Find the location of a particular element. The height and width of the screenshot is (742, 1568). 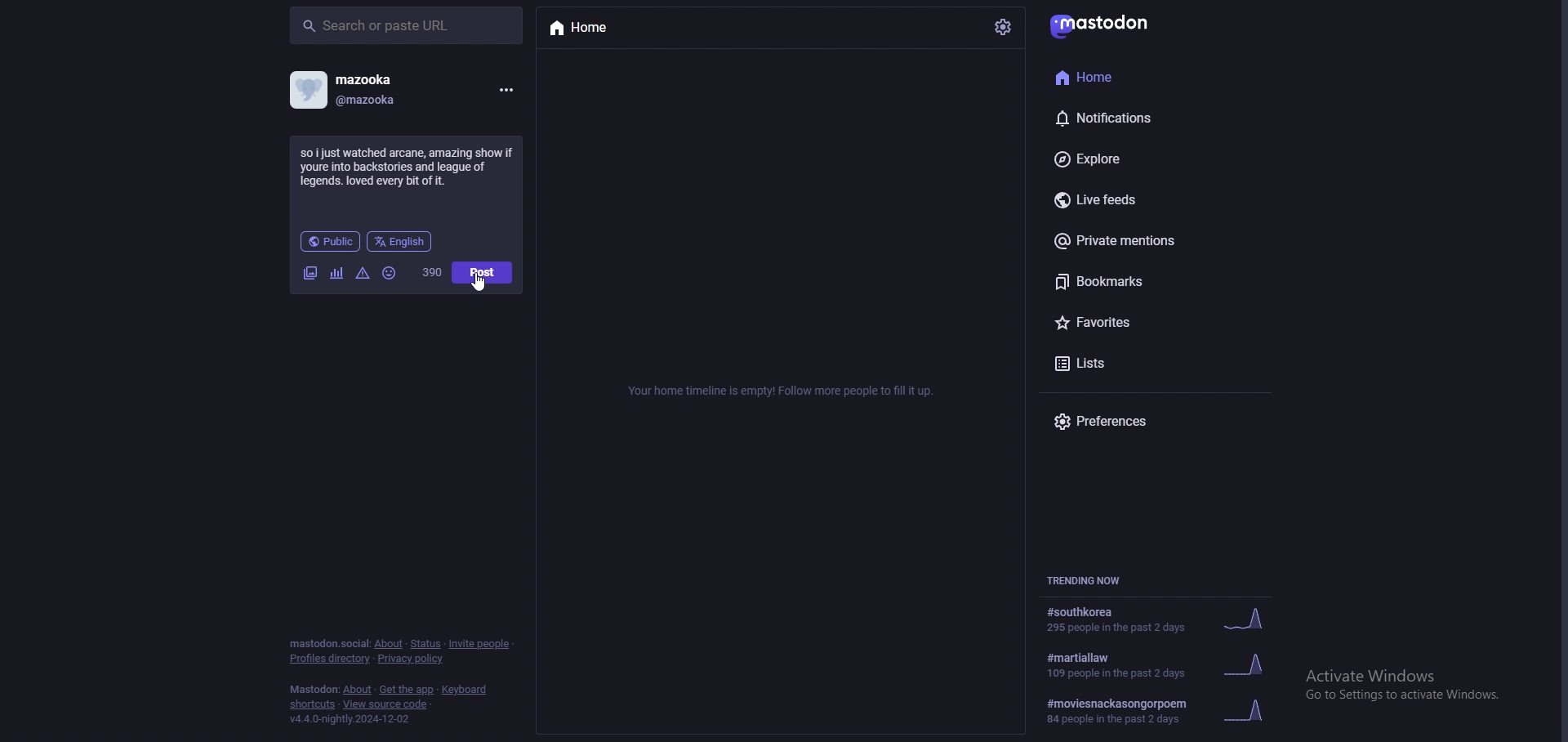

profiles directory is located at coordinates (331, 659).